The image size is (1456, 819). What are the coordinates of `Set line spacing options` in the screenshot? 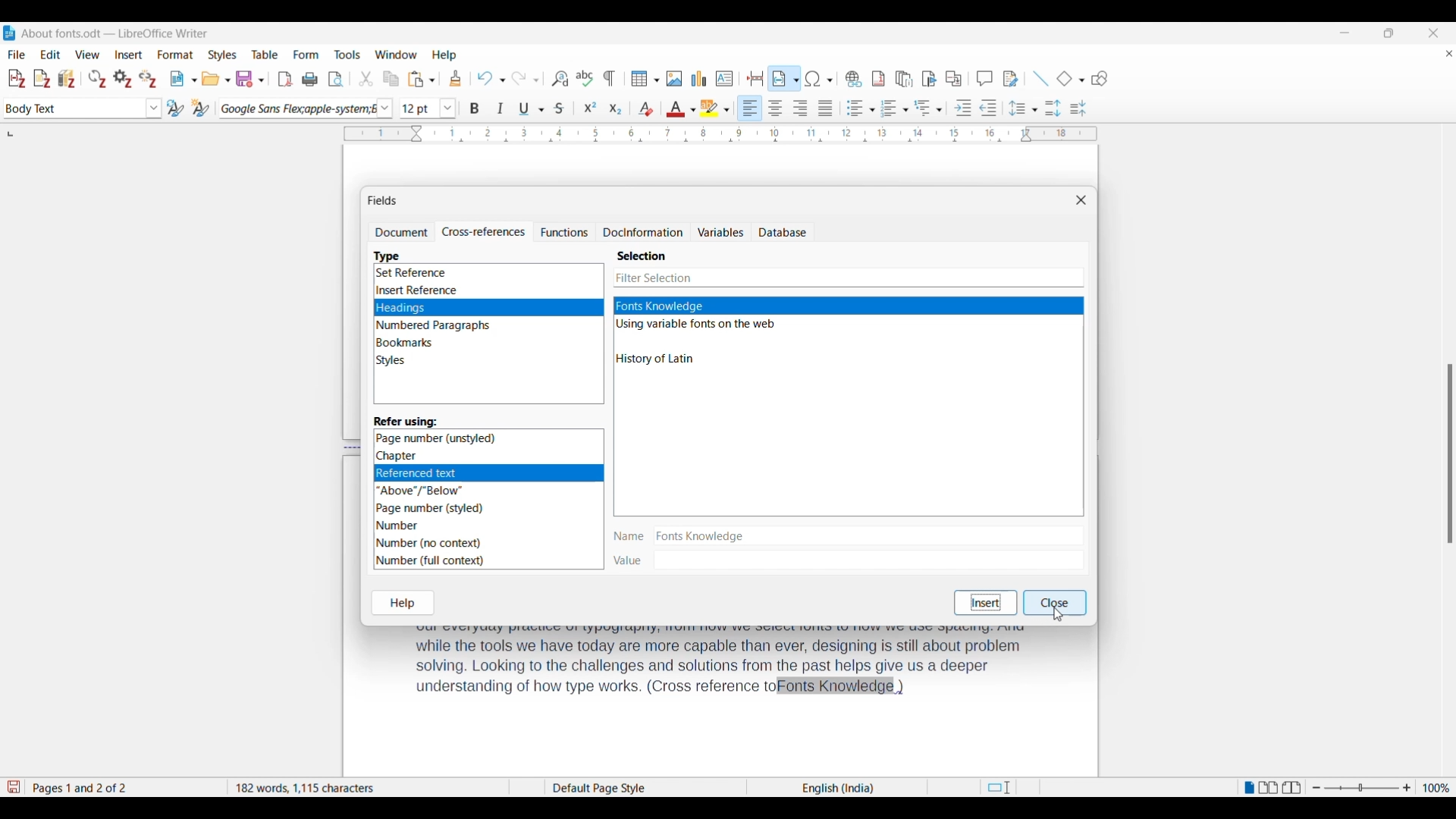 It's located at (1023, 108).